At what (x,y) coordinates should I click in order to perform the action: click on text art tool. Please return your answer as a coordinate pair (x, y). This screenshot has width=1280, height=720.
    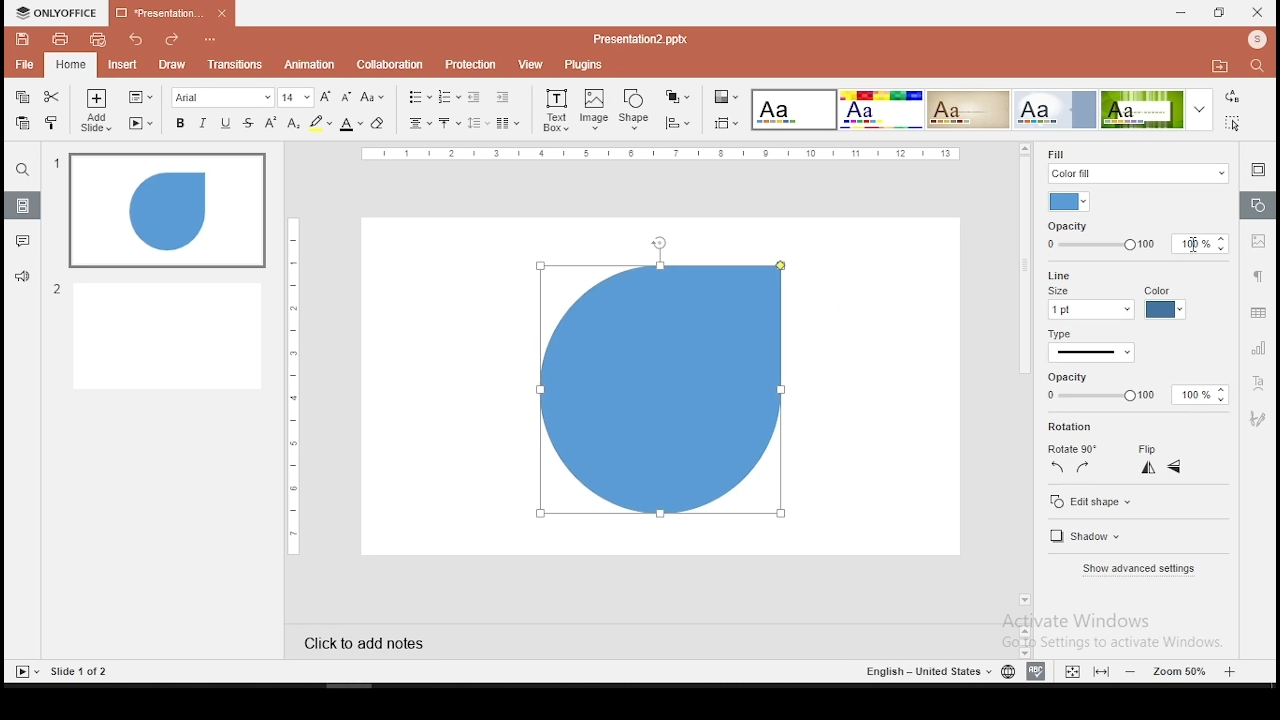
    Looking at the image, I should click on (1260, 382).